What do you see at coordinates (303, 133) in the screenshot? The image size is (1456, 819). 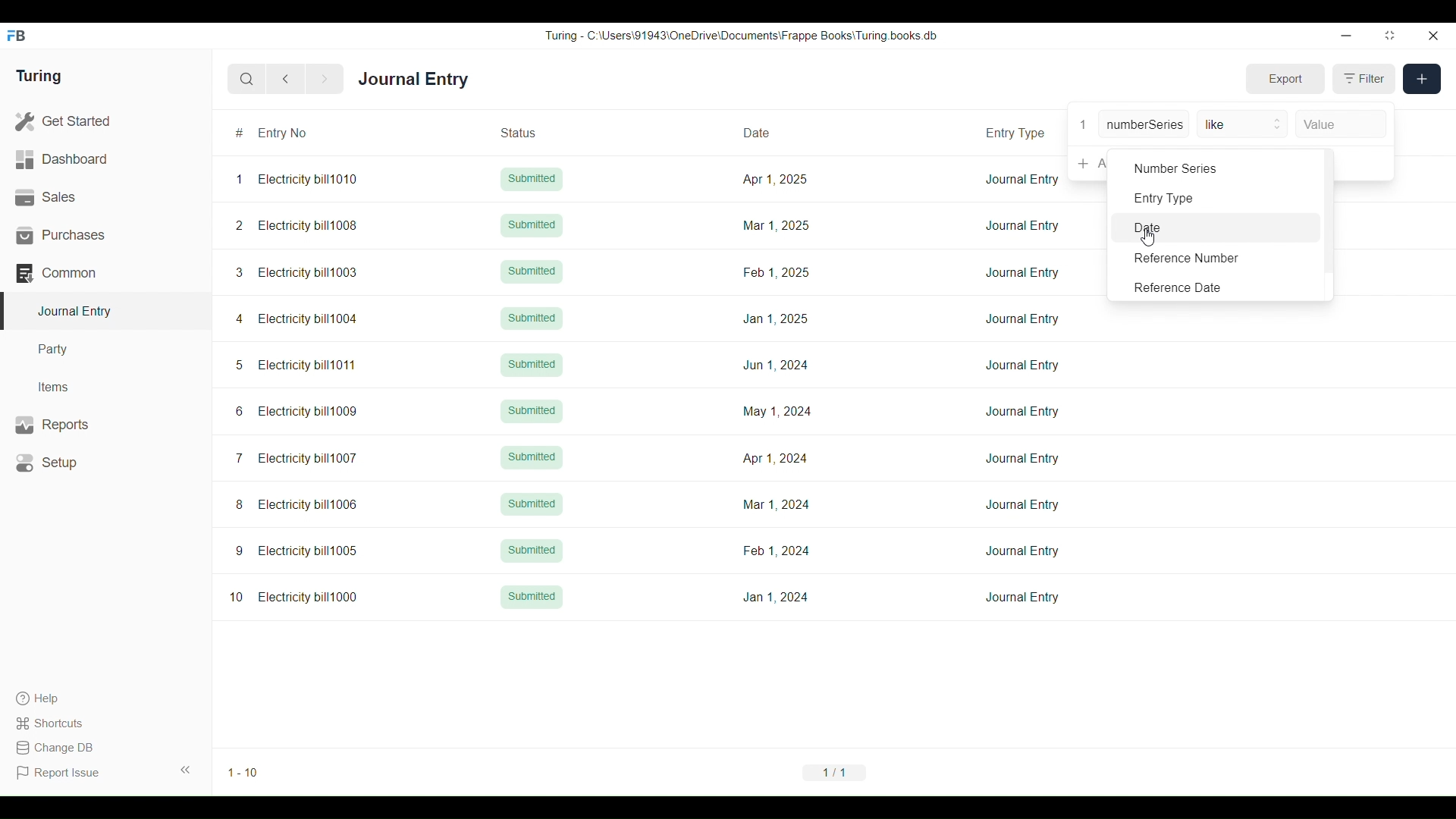 I see `# Entry No` at bounding box center [303, 133].